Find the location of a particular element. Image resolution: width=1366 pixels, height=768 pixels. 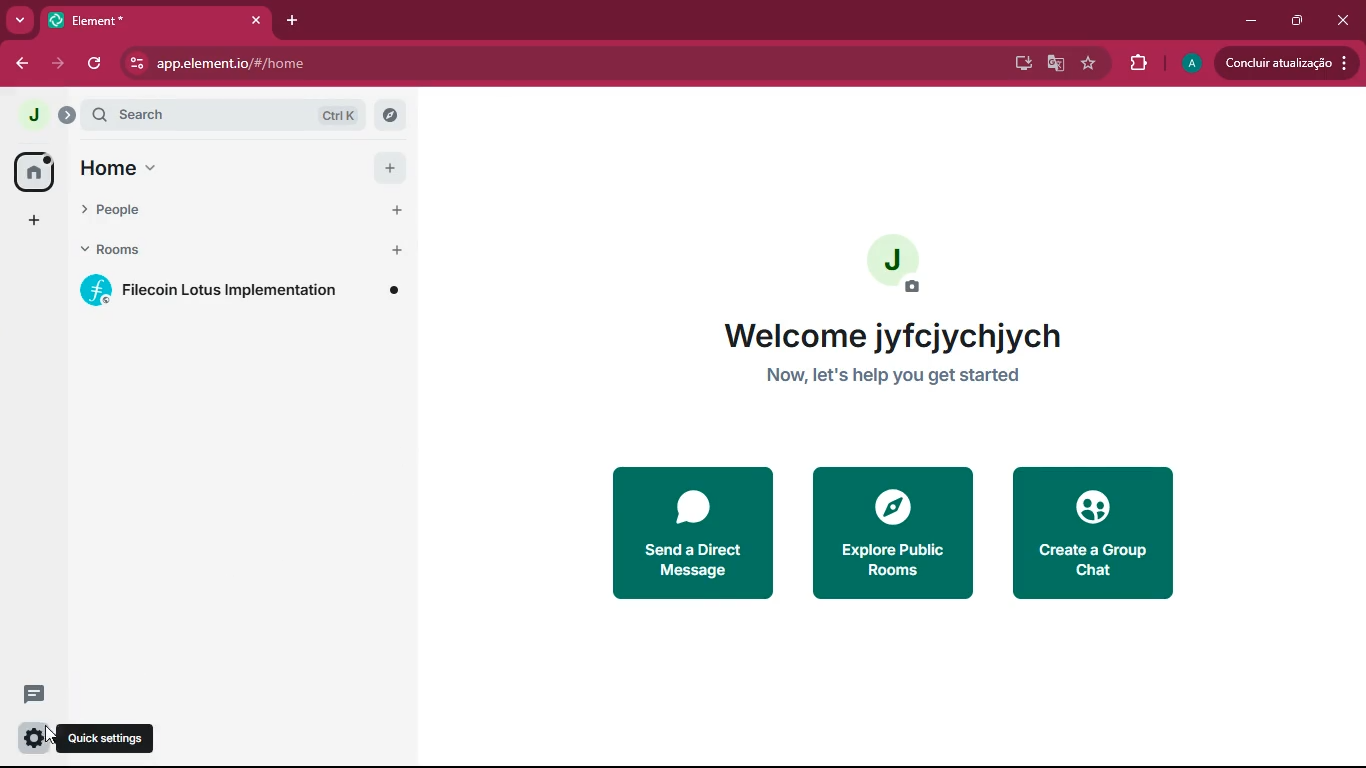

profile picture is located at coordinates (899, 264).